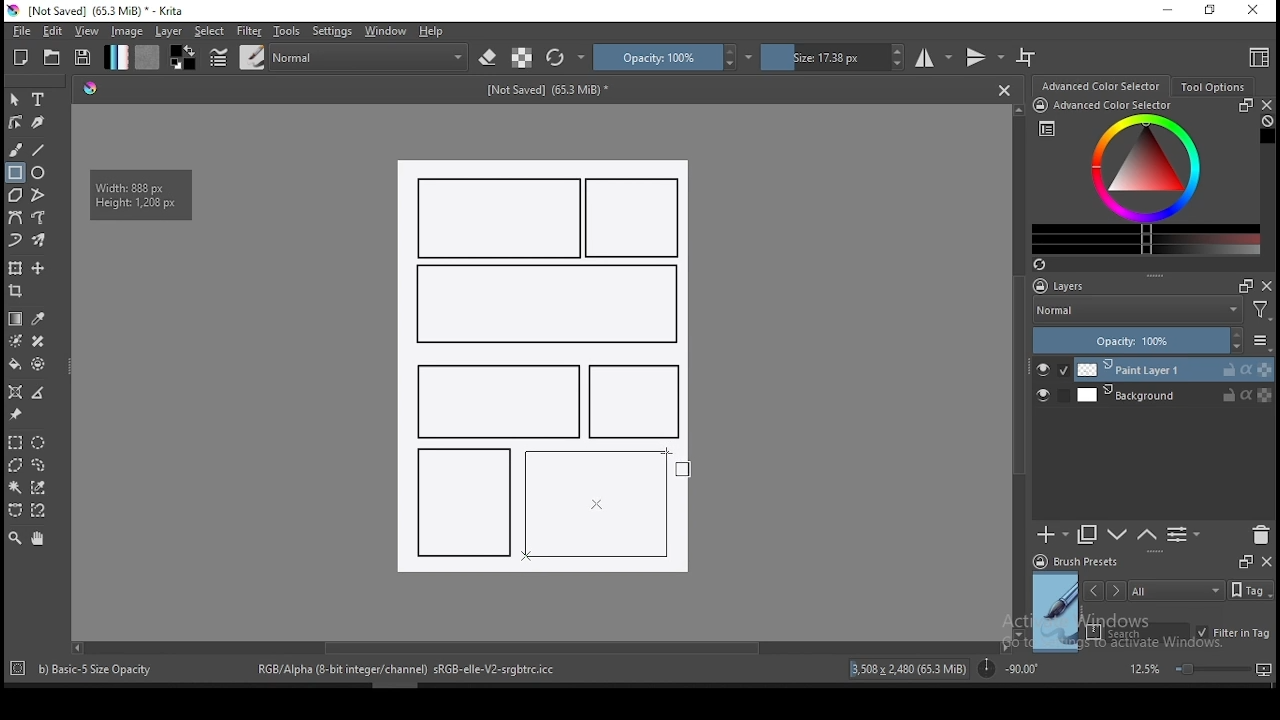 Image resolution: width=1280 pixels, height=720 pixels. I want to click on zoom tool, so click(15, 537).